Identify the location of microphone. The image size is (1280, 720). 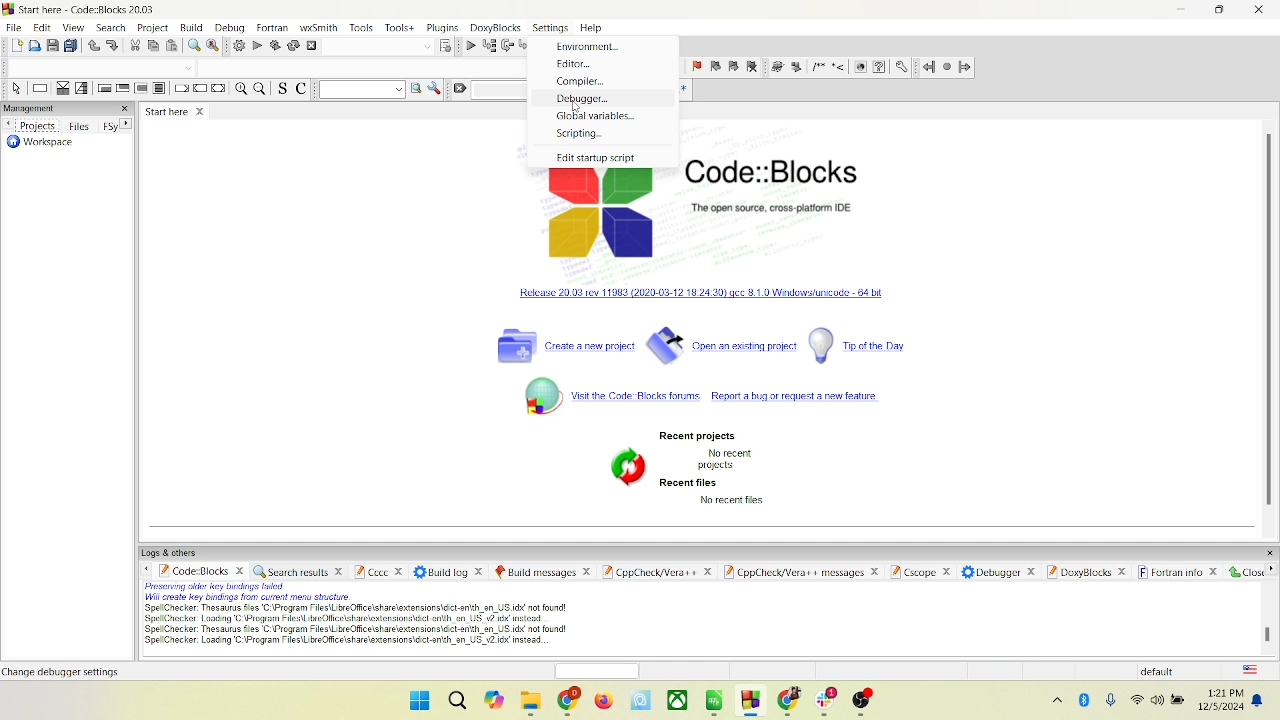
(1113, 703).